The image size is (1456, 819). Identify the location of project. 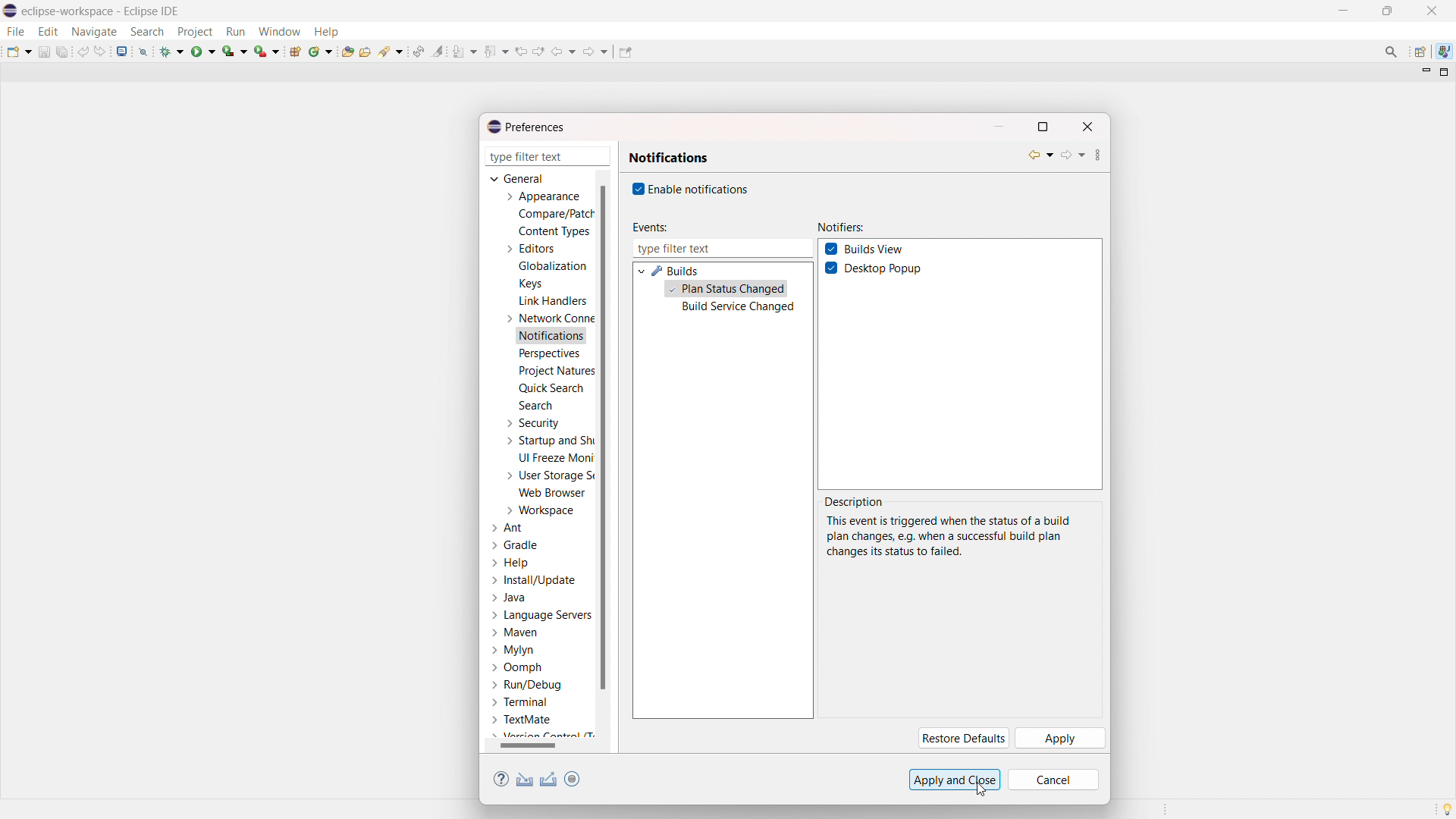
(194, 32).